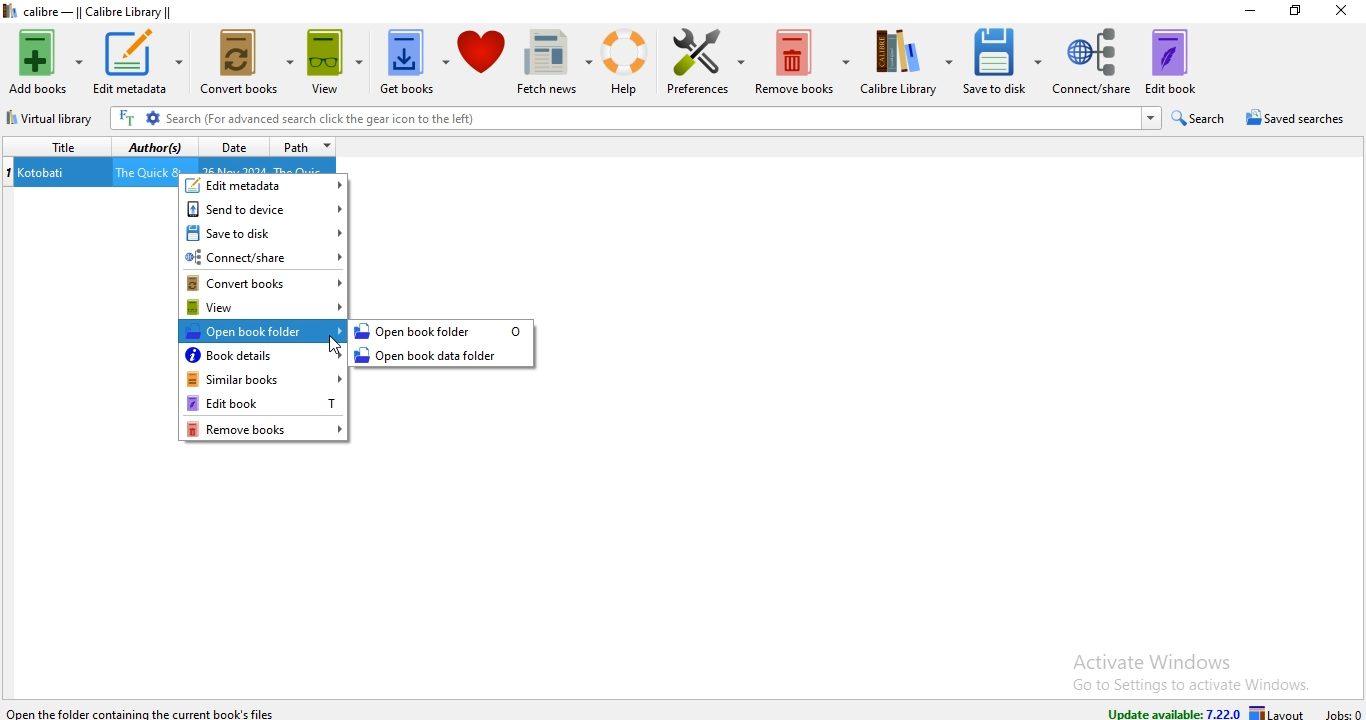 The width and height of the screenshot is (1366, 720). What do you see at coordinates (54, 121) in the screenshot?
I see `virtual library` at bounding box center [54, 121].